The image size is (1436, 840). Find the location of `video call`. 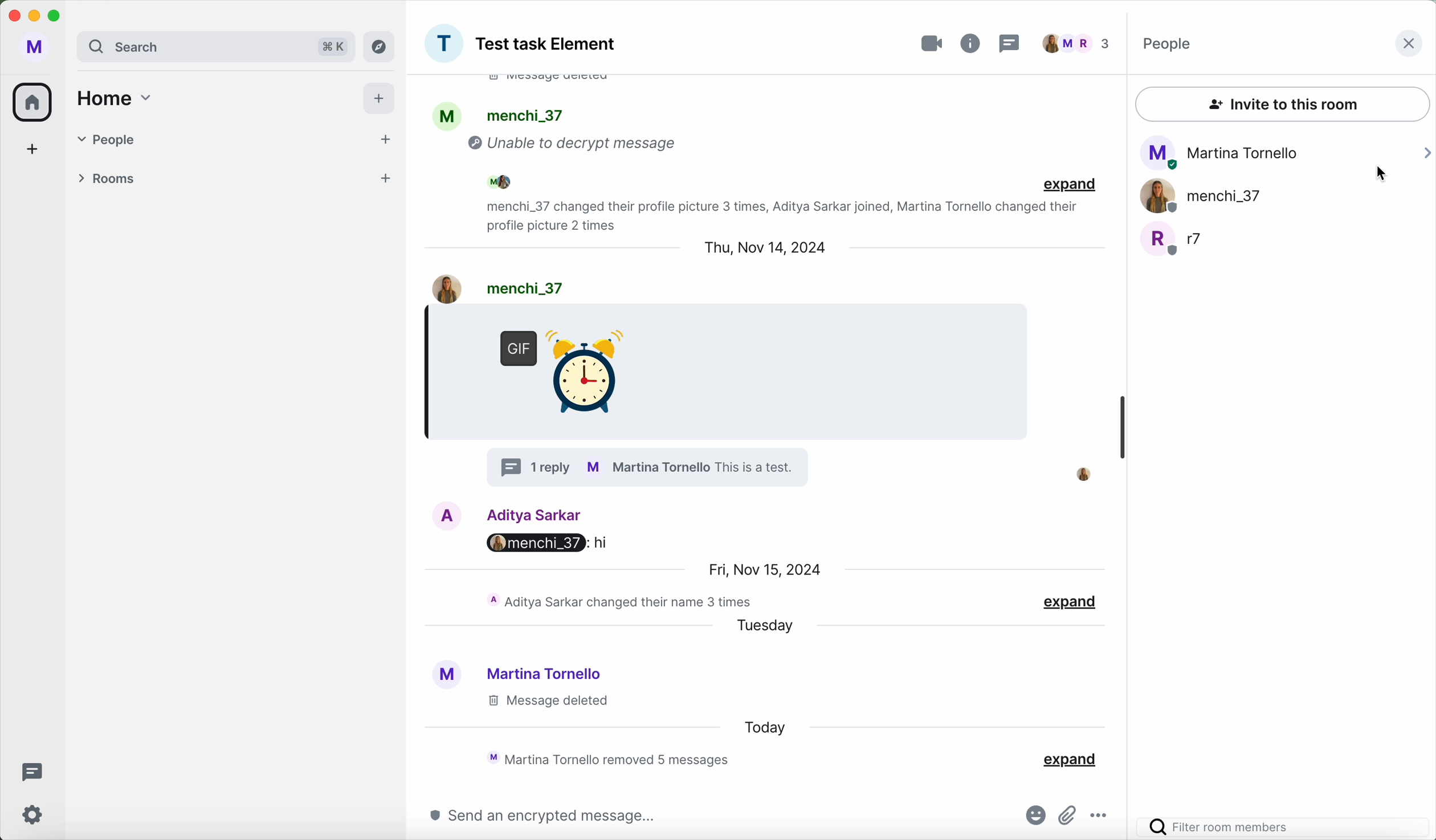

video call is located at coordinates (932, 40).